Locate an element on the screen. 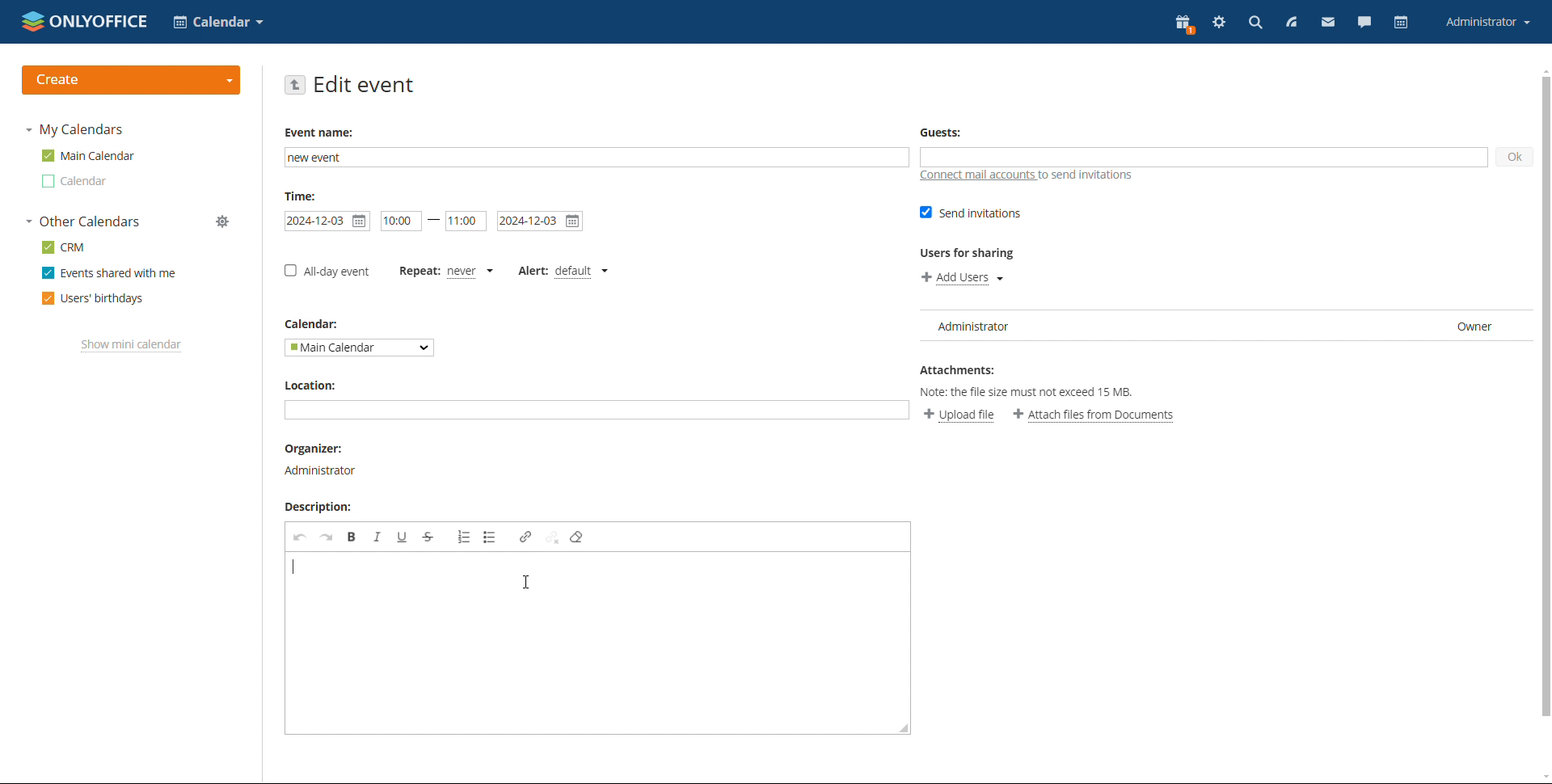 Image resolution: width=1552 pixels, height=784 pixels. add guests is located at coordinates (1203, 158).